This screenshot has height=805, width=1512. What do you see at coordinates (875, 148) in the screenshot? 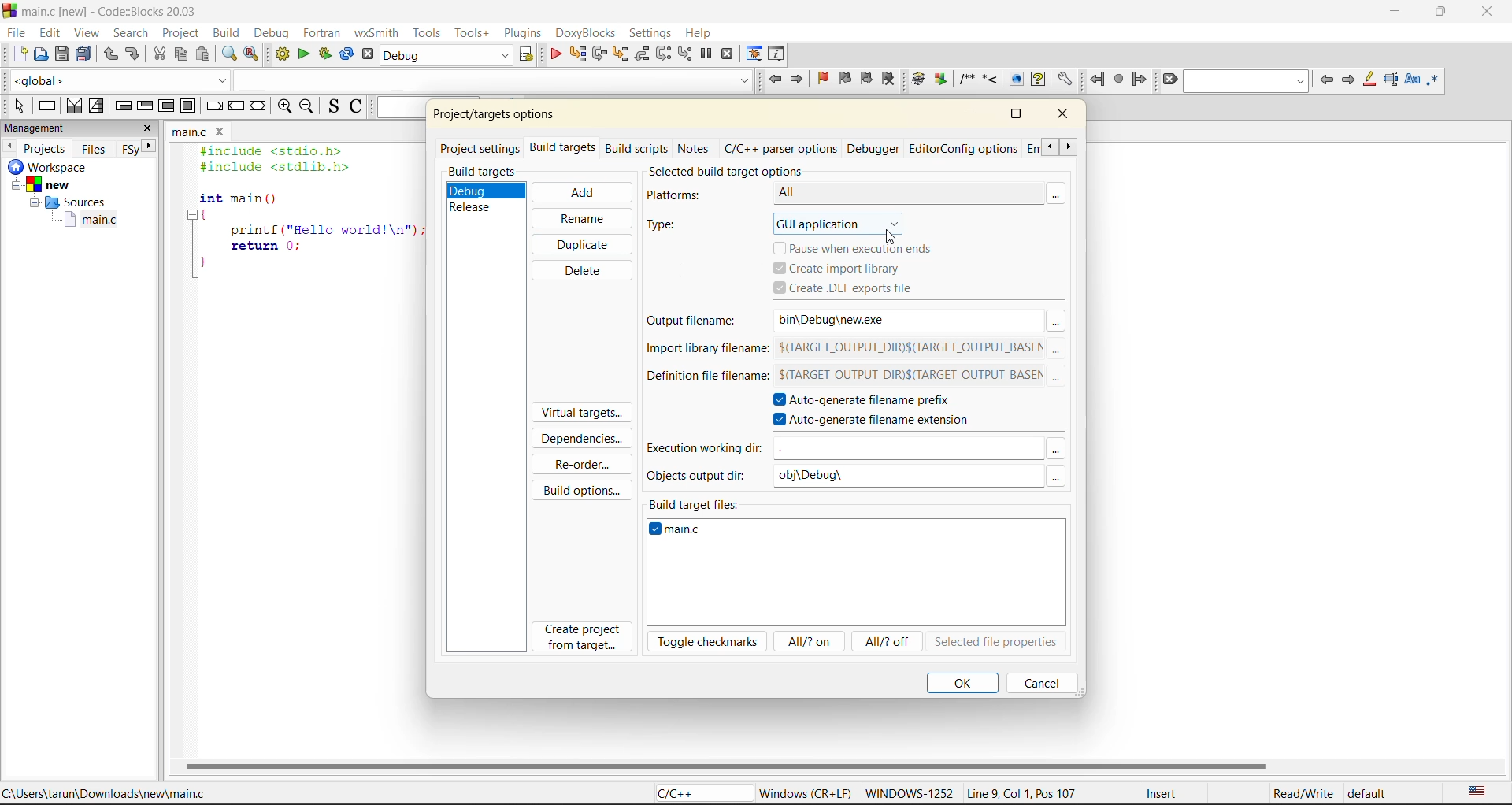
I see `debugger` at bounding box center [875, 148].